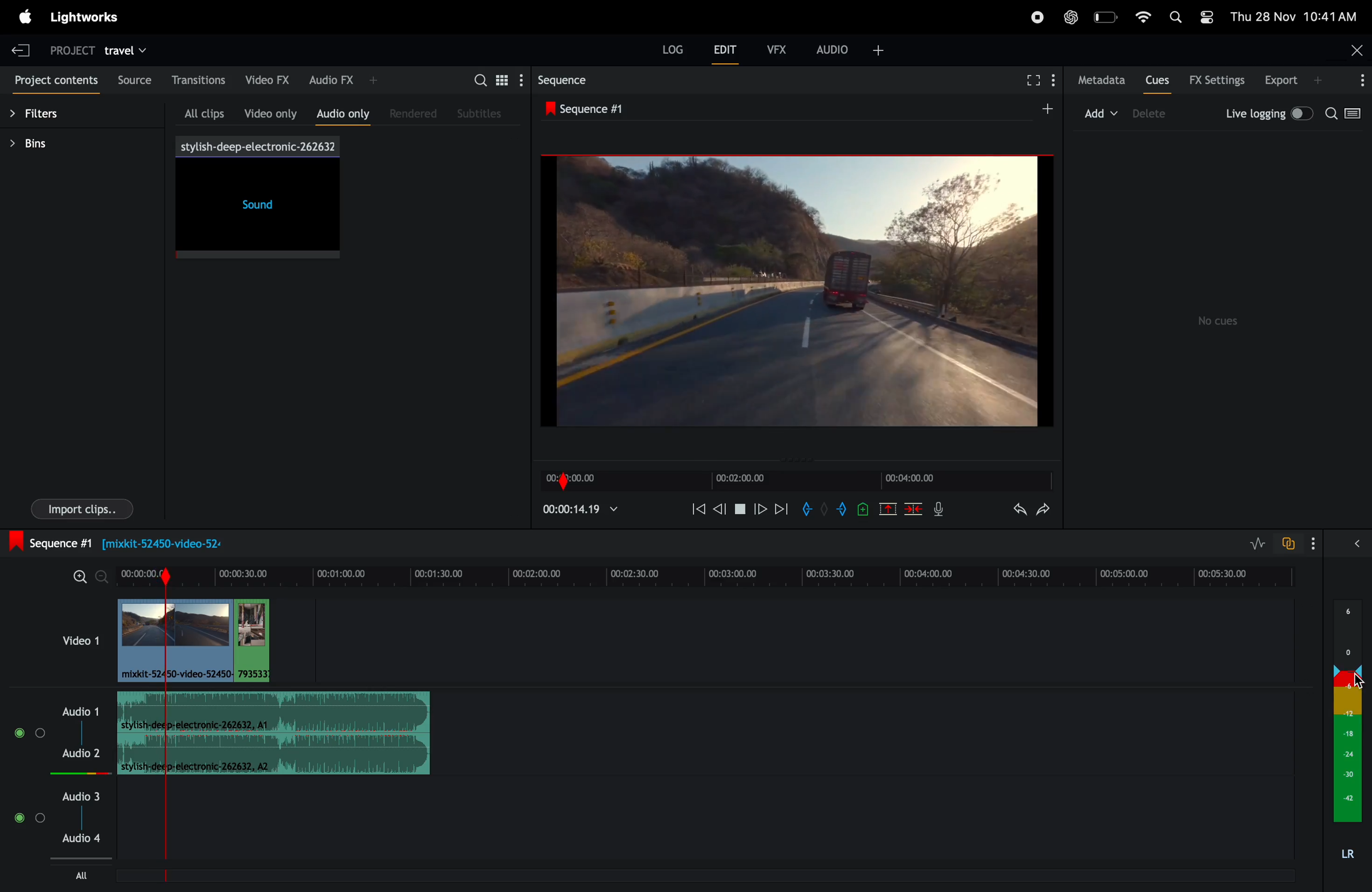 The image size is (1372, 892). Describe the element at coordinates (850, 49) in the screenshot. I see `audio` at that location.